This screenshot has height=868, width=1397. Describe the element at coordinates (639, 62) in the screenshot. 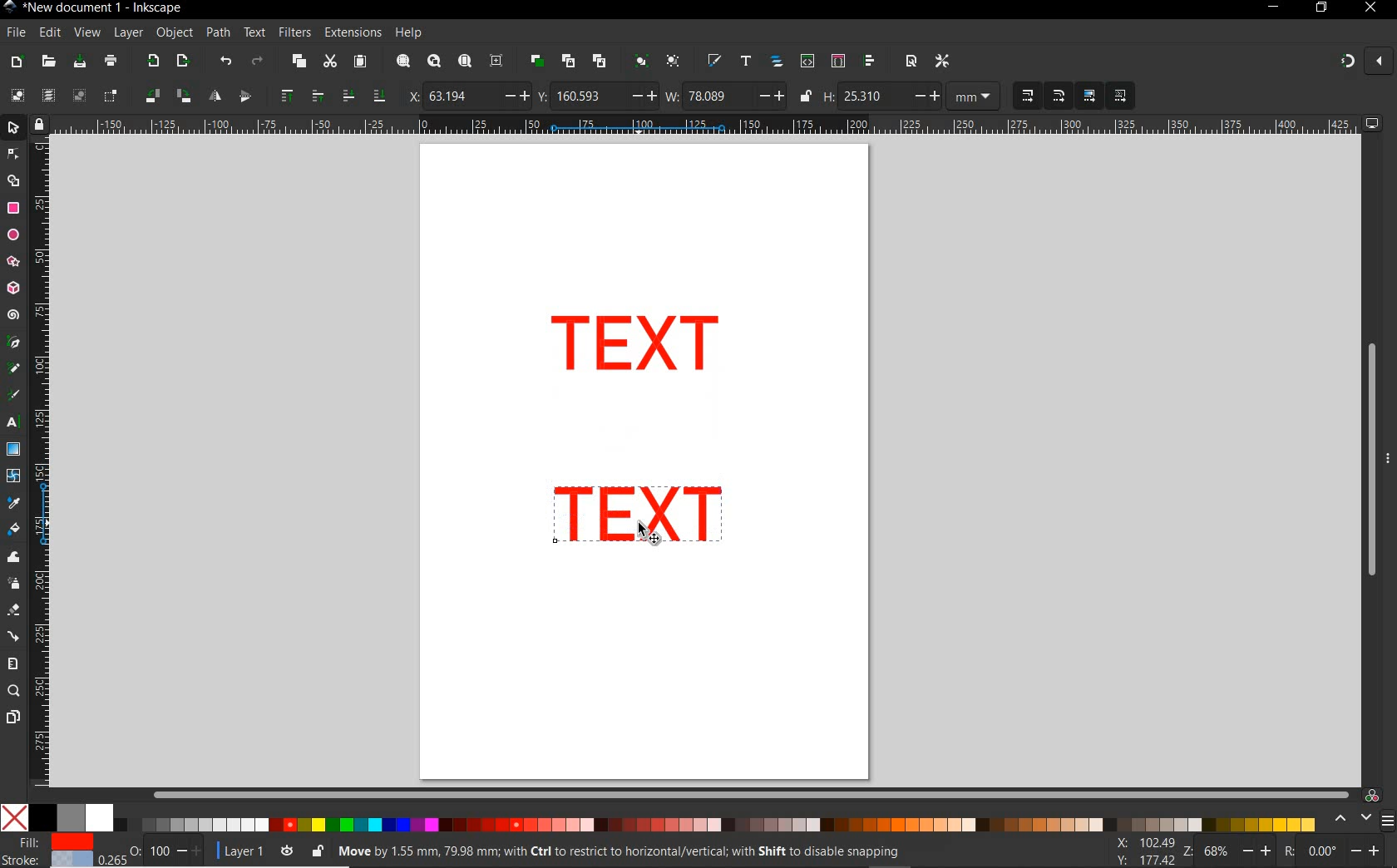

I see `group` at that location.